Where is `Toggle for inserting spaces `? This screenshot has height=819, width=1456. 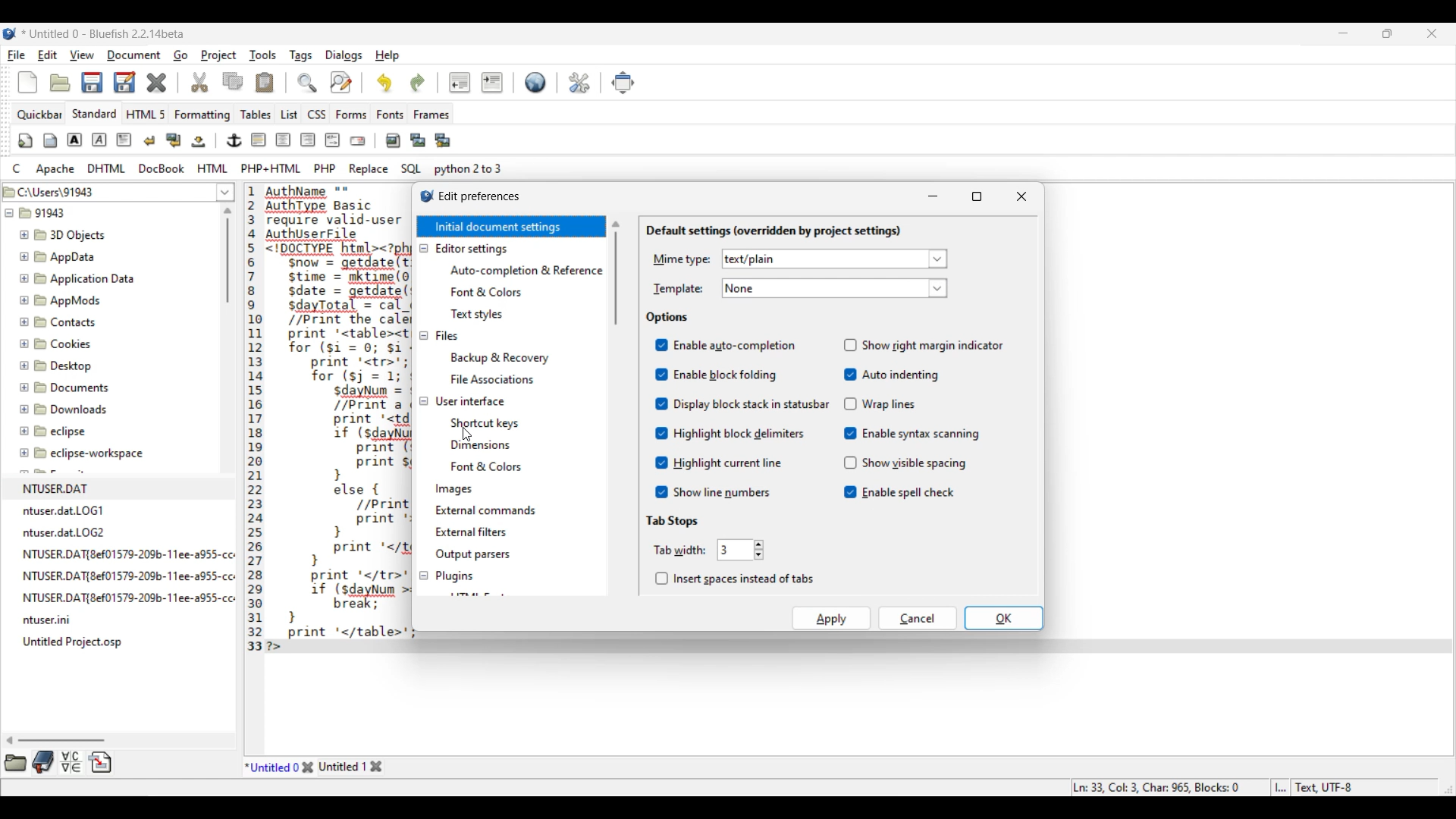
Toggle for inserting spaces  is located at coordinates (734, 579).